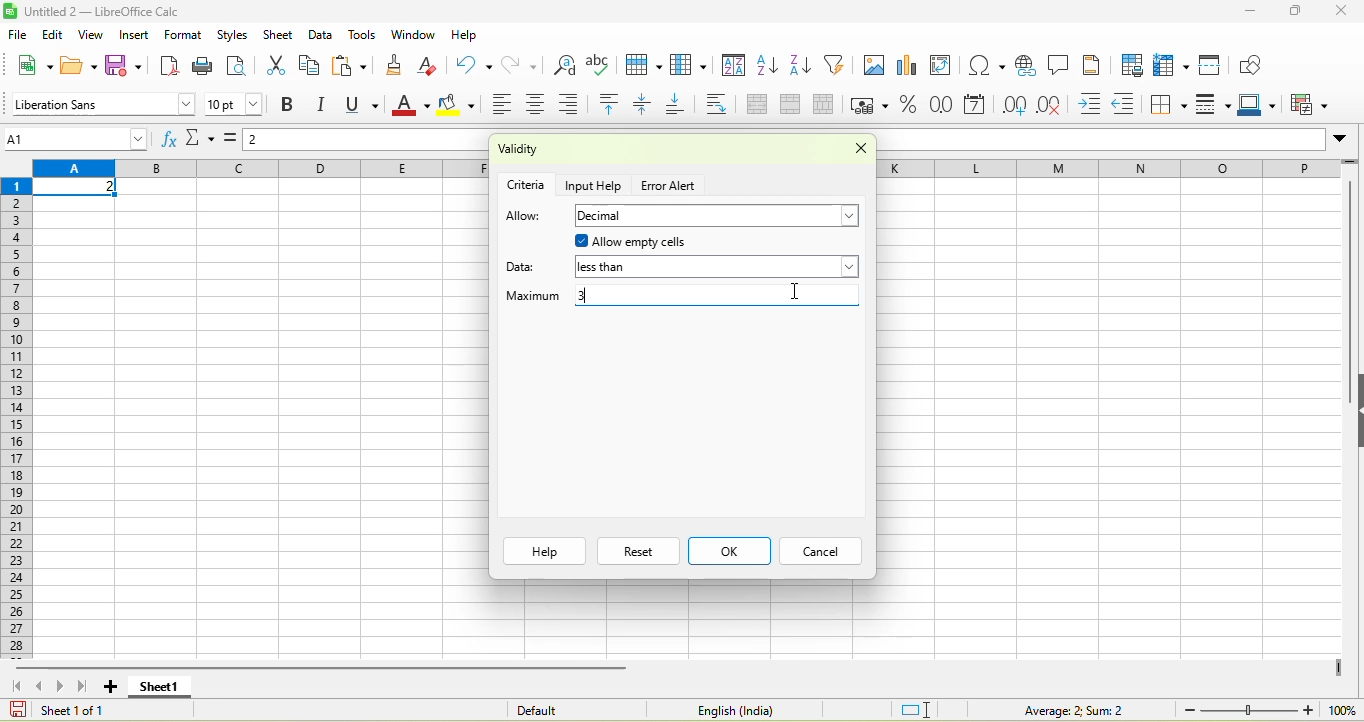  I want to click on special character, so click(983, 65).